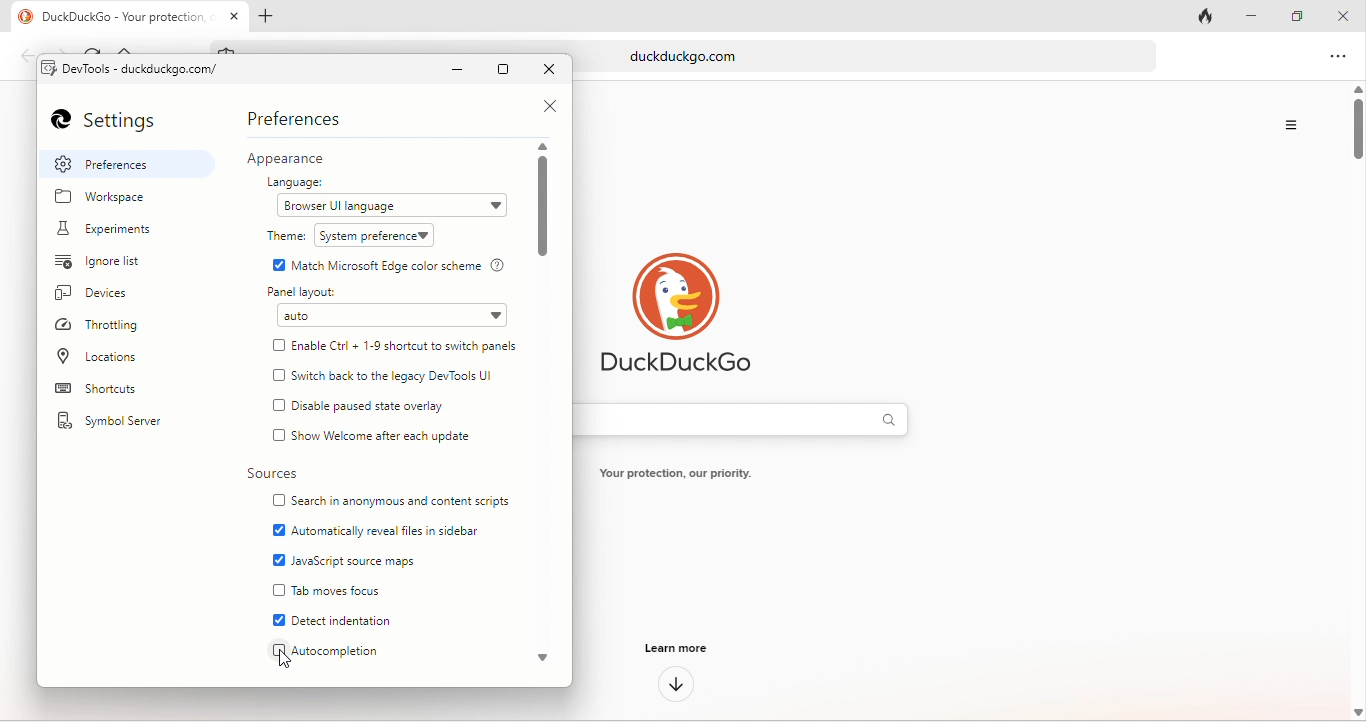 Image resolution: width=1366 pixels, height=722 pixels. Describe the element at coordinates (362, 558) in the screenshot. I see `java script source maps` at that location.